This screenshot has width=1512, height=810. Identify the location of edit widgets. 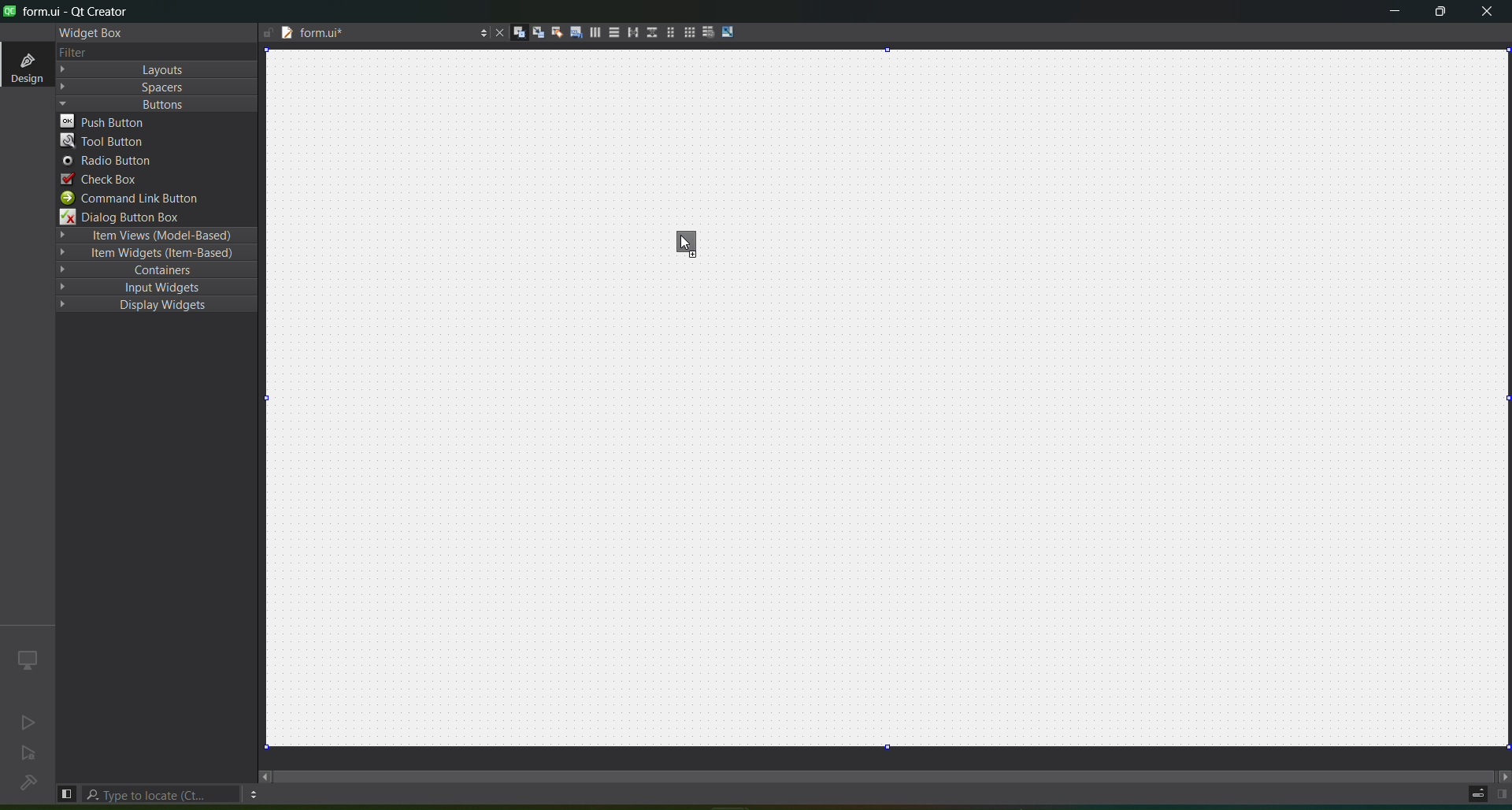
(515, 32).